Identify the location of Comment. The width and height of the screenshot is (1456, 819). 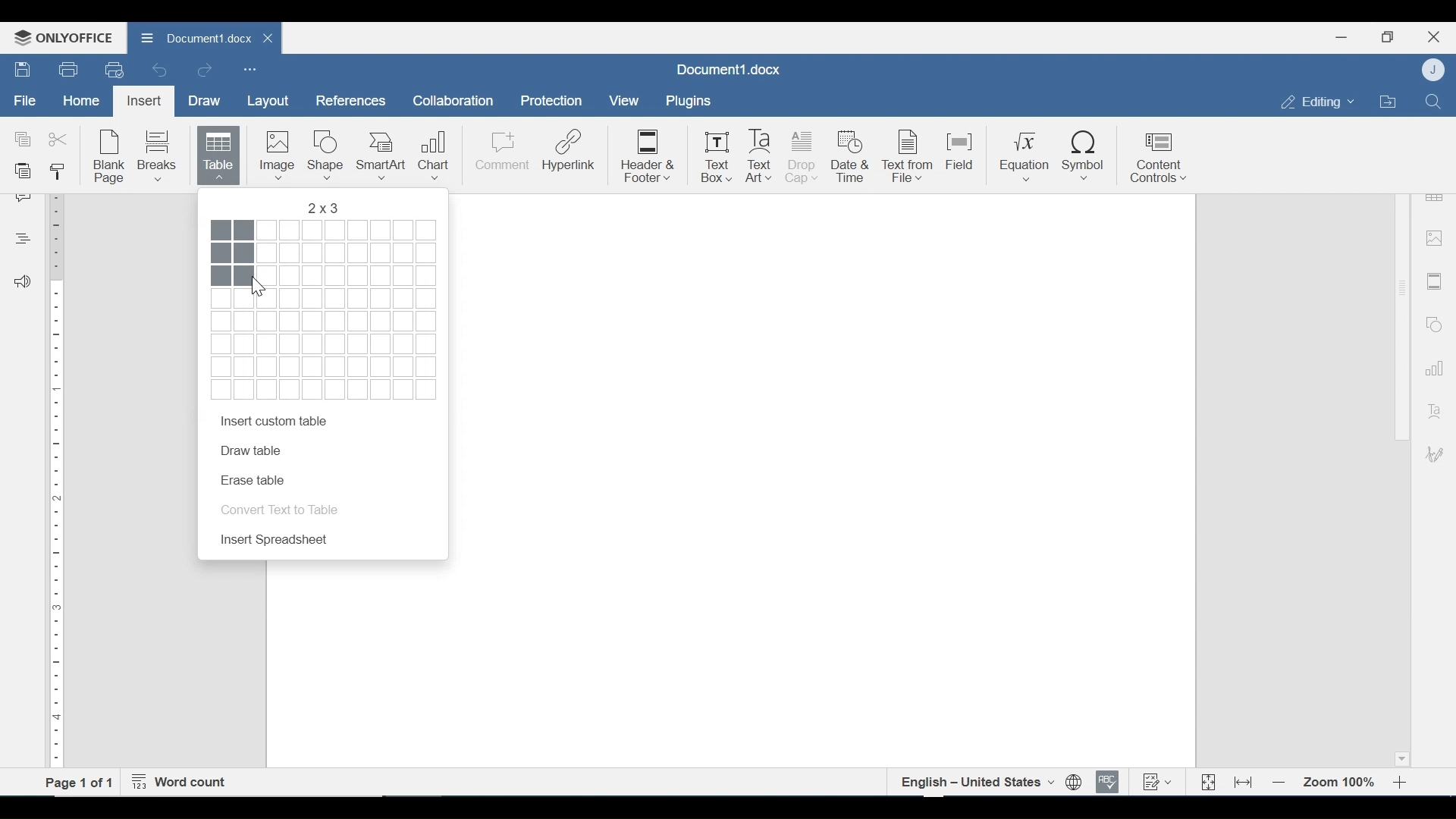
(501, 157).